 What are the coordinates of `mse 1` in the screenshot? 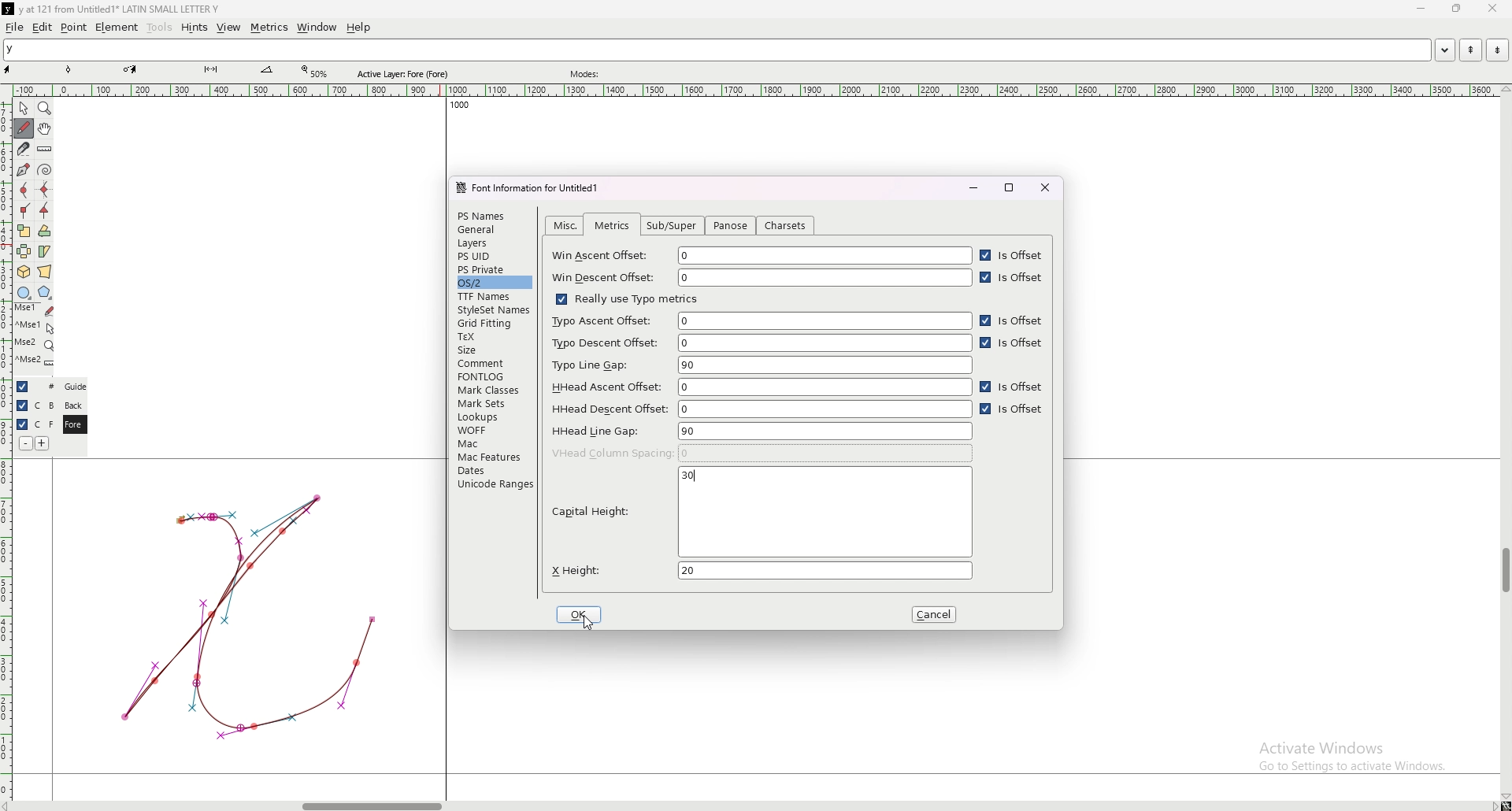 It's located at (35, 326).